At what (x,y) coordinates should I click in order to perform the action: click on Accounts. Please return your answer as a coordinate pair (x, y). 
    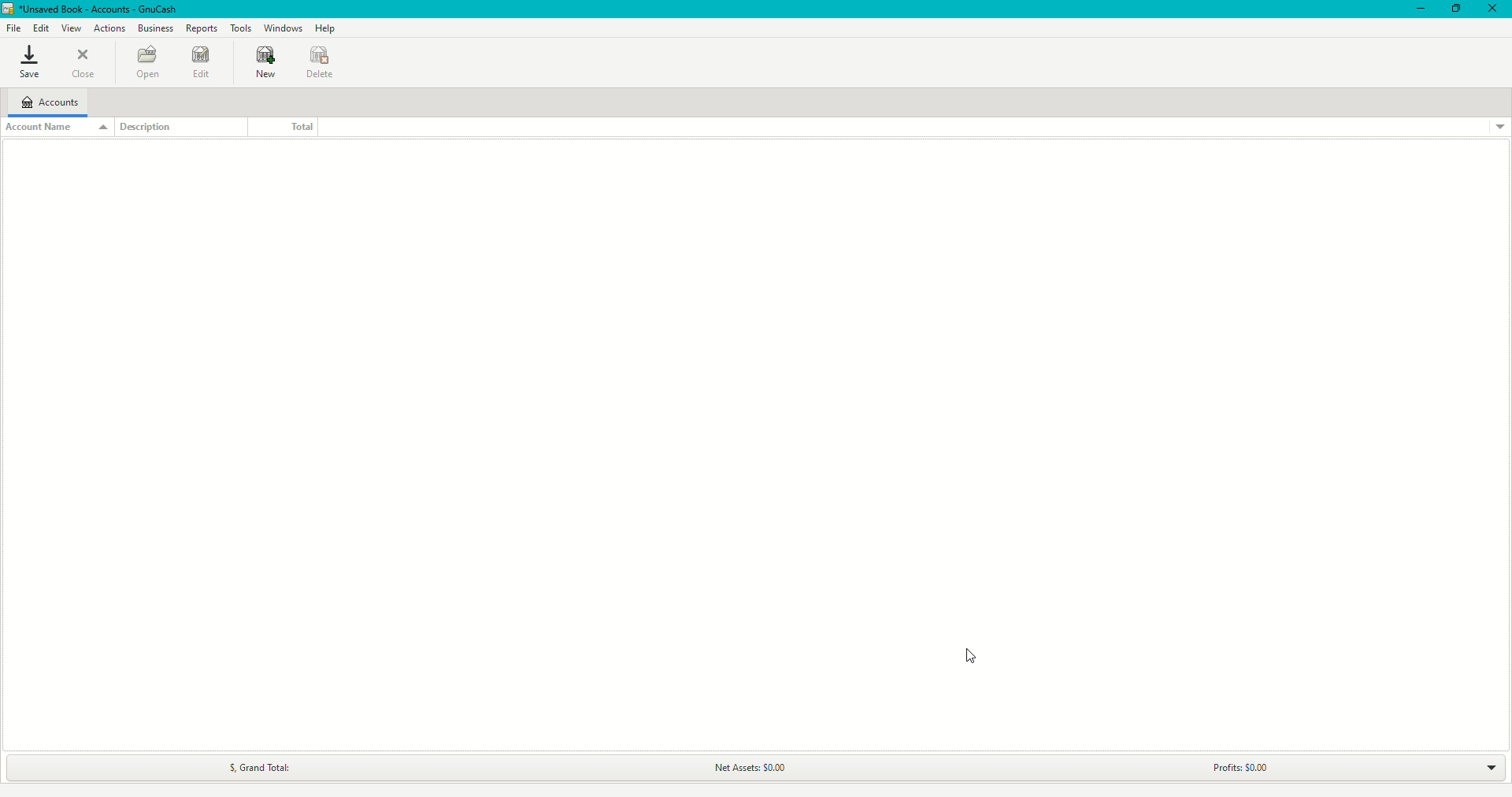
    Looking at the image, I should click on (49, 102).